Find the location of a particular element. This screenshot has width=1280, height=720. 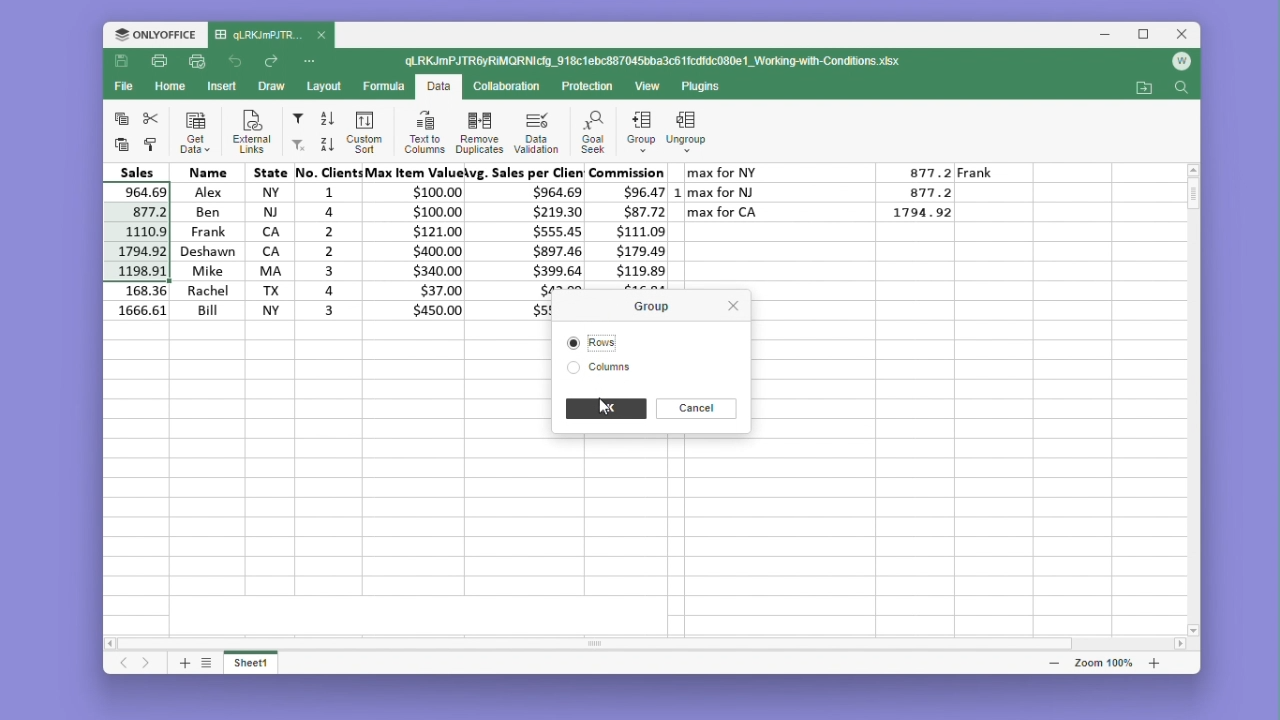

cancel is located at coordinates (696, 408).